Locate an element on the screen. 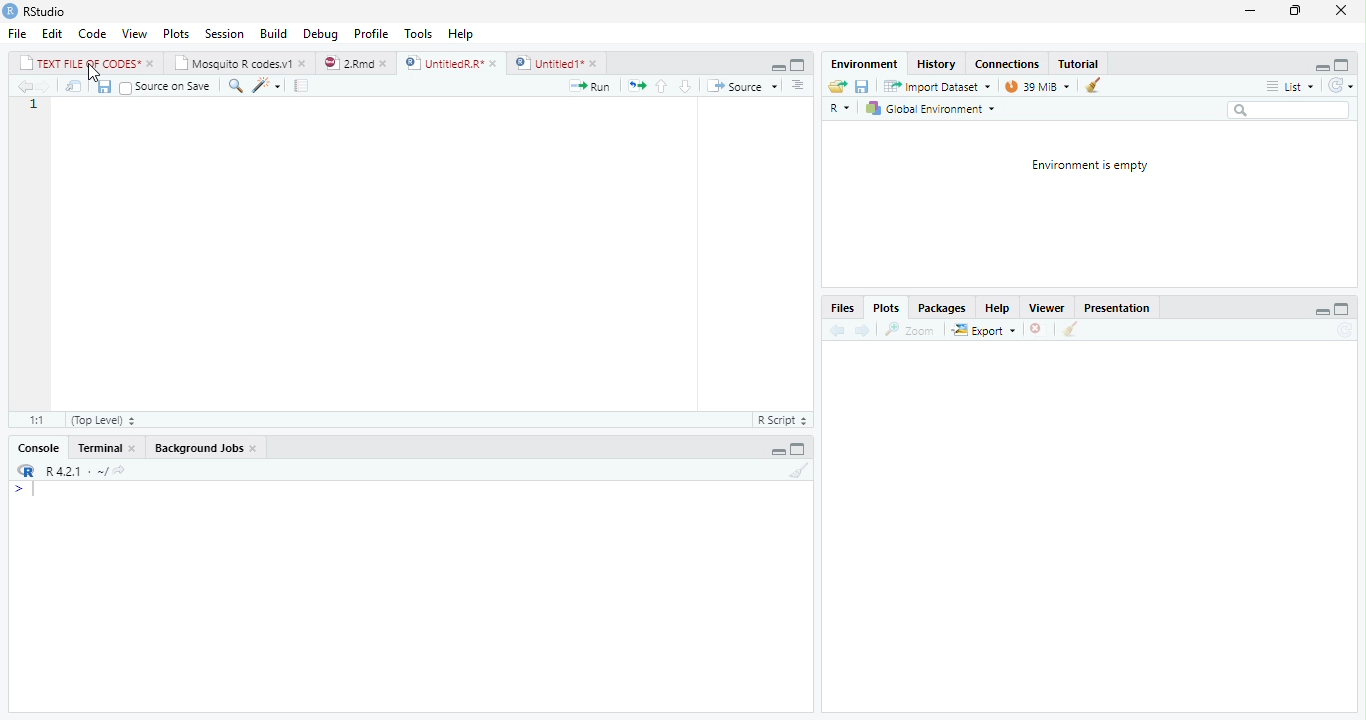  Save is located at coordinates (101, 85).